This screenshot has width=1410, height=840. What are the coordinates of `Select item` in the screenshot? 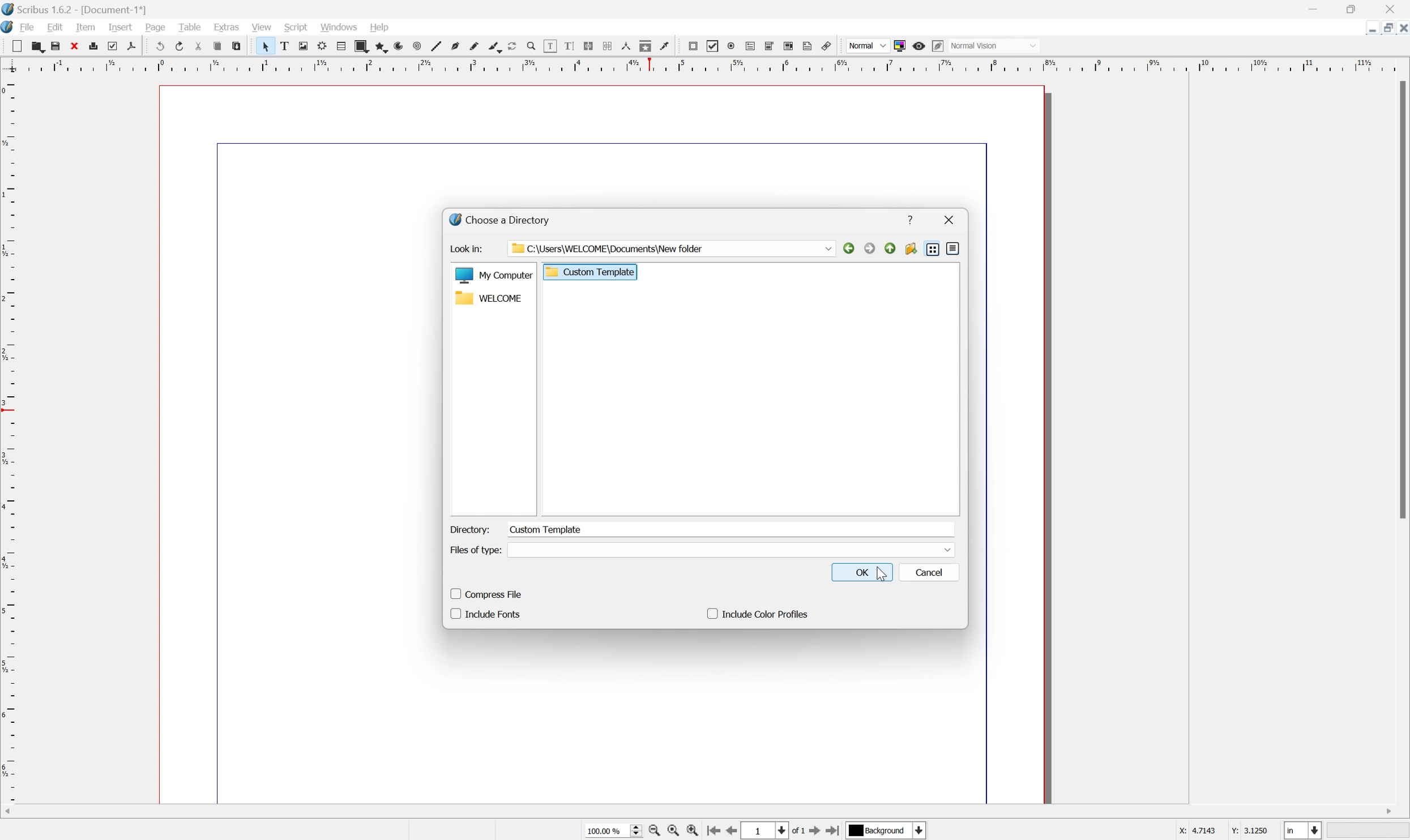 It's located at (267, 46).